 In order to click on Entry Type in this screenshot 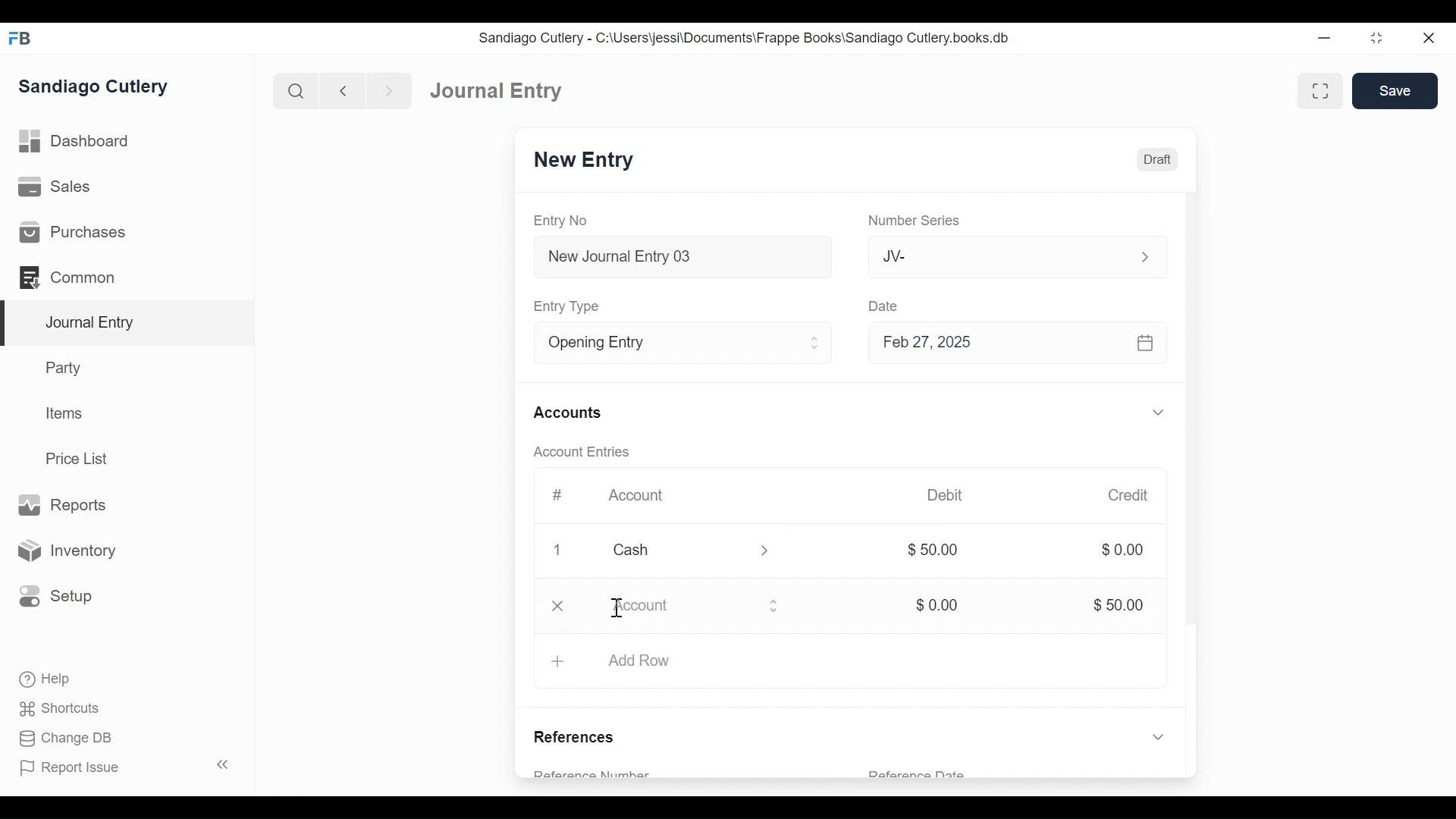, I will do `click(663, 343)`.